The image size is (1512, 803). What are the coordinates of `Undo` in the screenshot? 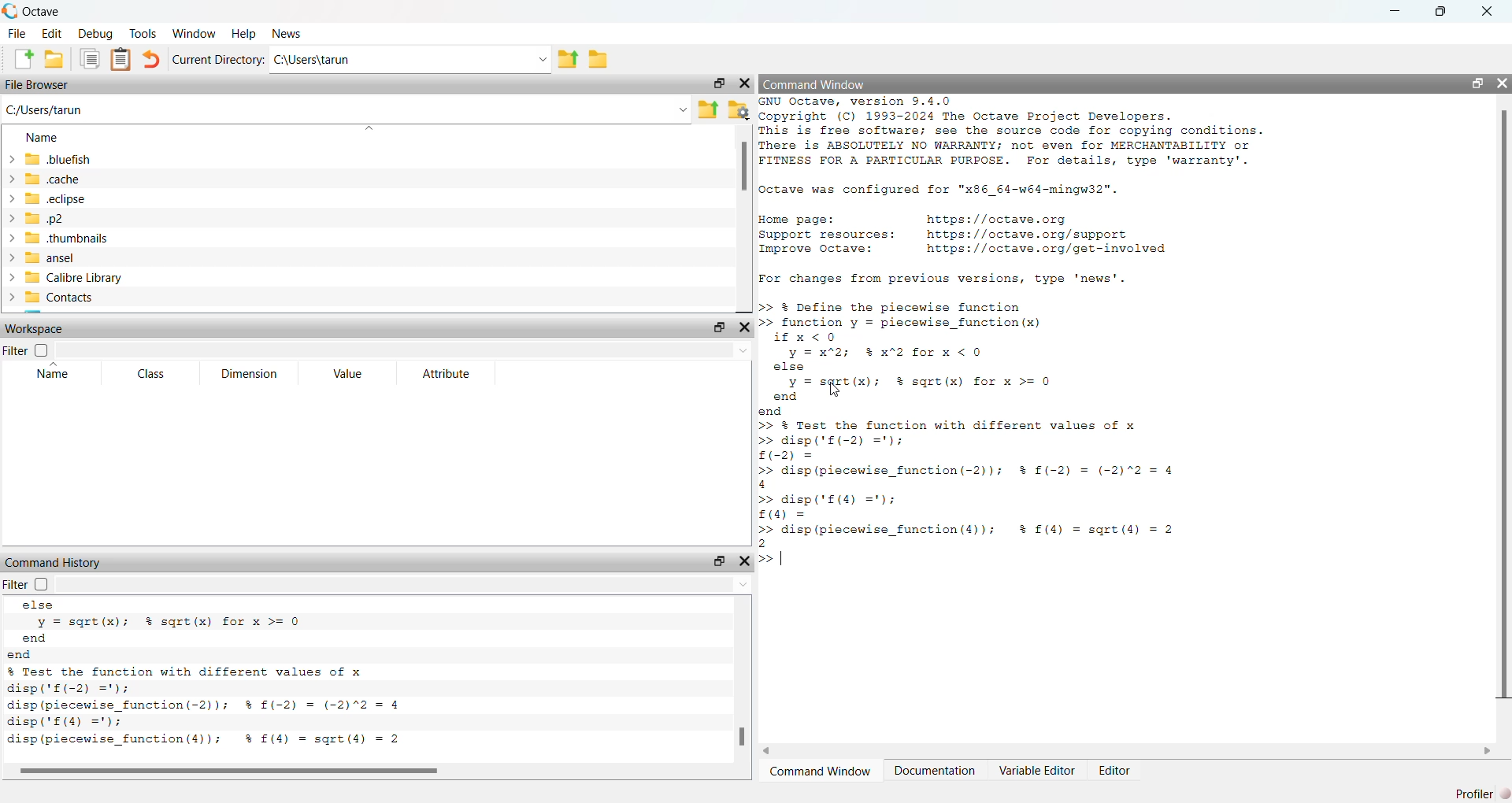 It's located at (151, 60).